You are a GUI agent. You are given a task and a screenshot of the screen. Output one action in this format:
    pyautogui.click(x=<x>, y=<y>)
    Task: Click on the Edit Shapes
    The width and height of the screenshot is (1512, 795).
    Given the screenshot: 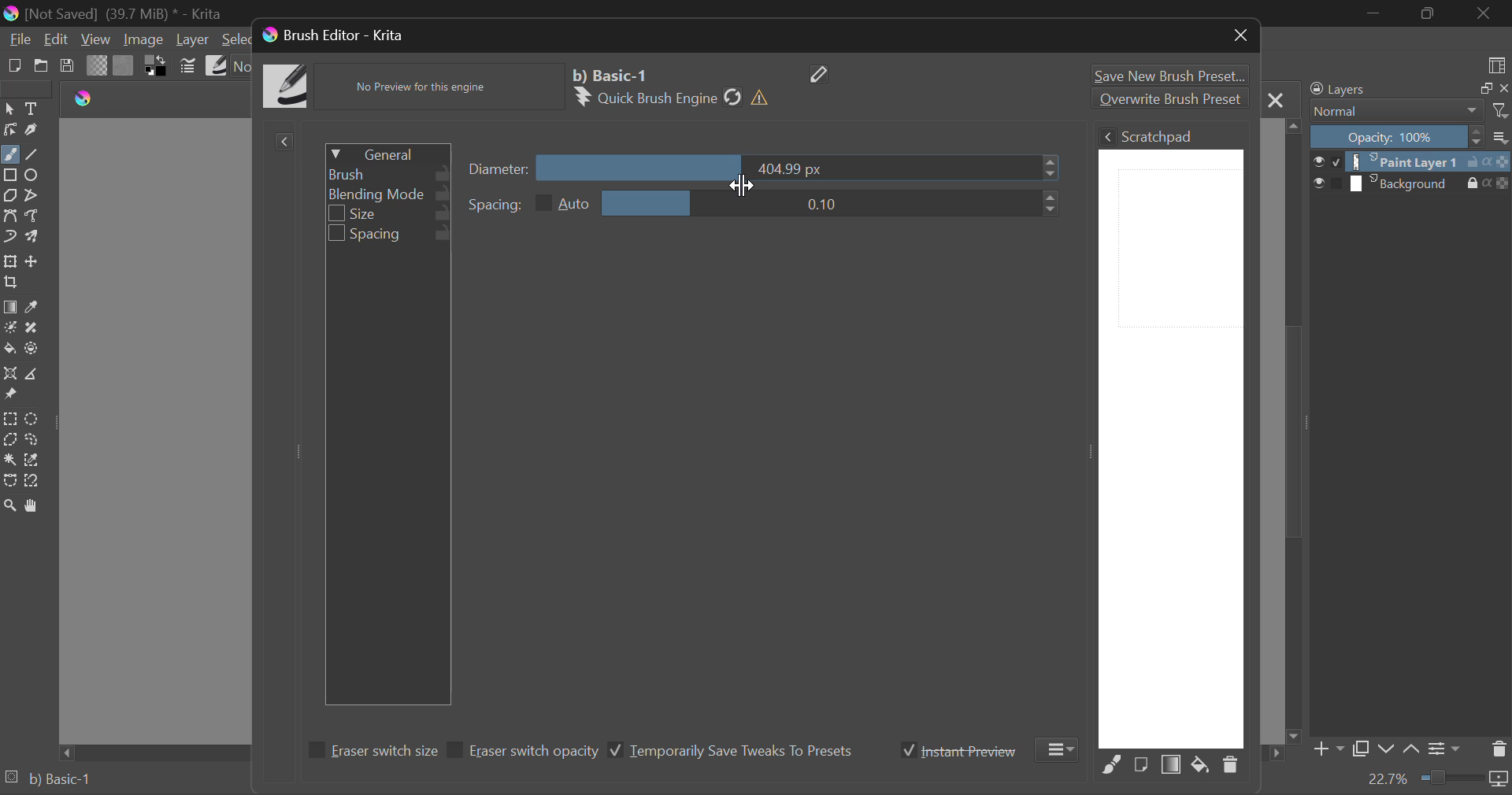 What is the action you would take?
    pyautogui.click(x=9, y=129)
    